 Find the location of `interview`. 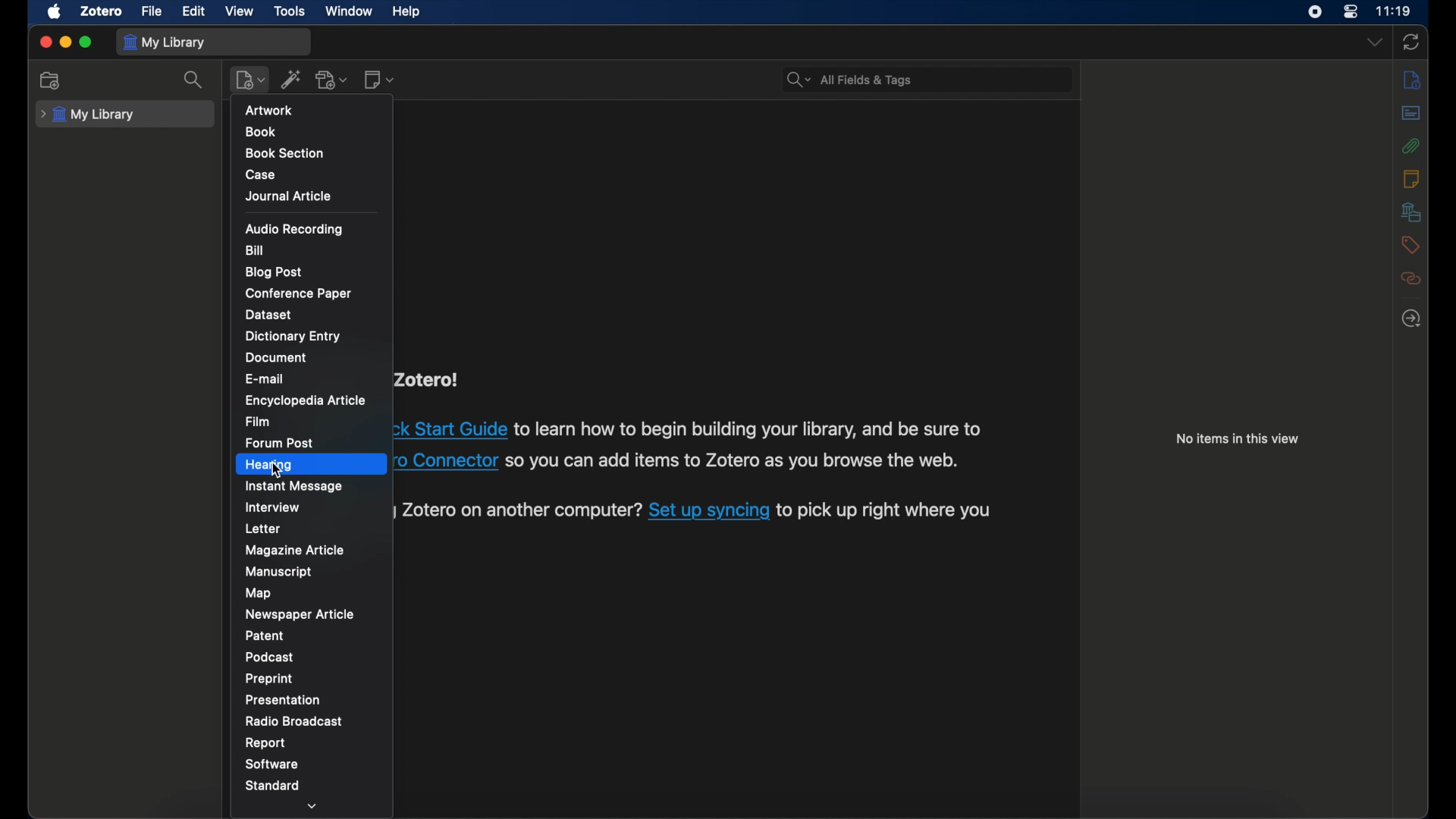

interview is located at coordinates (273, 507).